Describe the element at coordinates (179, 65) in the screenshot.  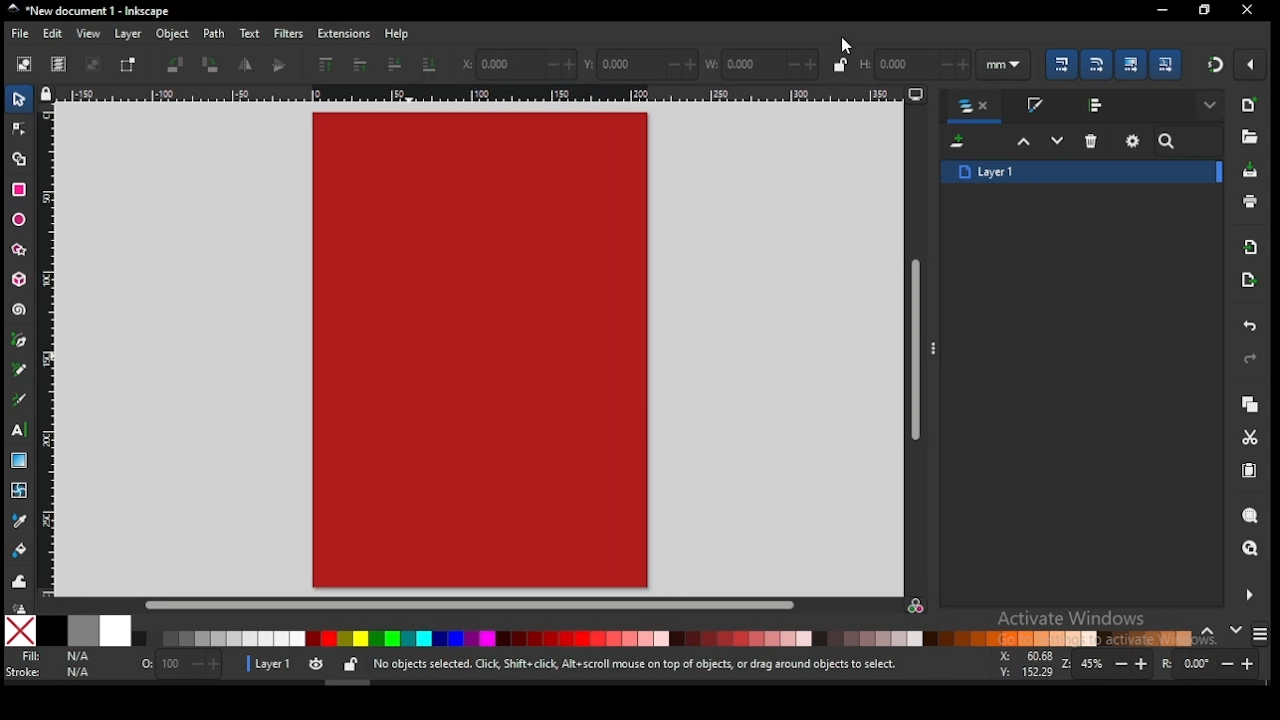
I see `object rotate 90 CCW` at that location.